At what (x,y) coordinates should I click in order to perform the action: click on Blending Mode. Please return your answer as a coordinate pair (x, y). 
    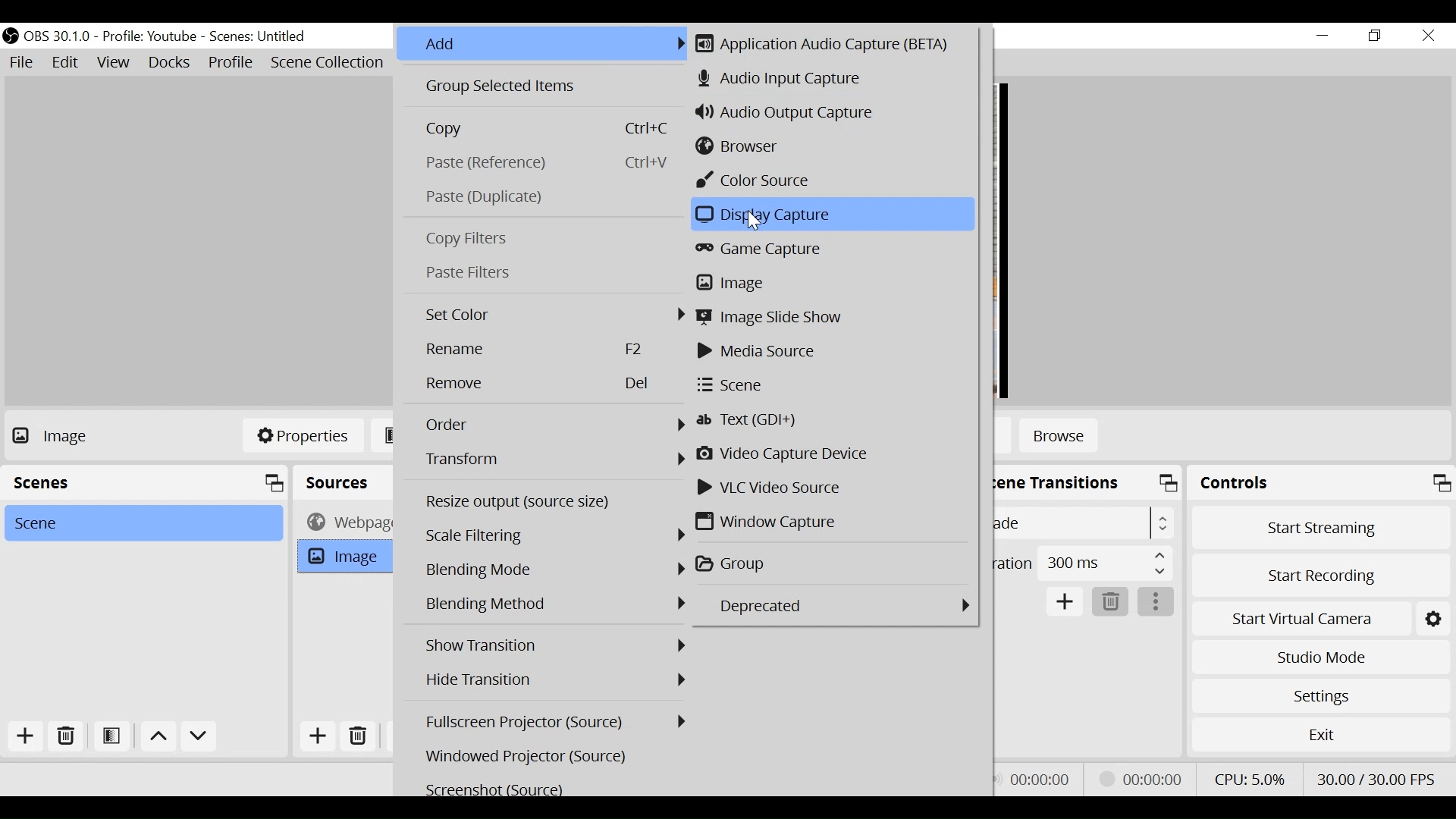
    Looking at the image, I should click on (556, 571).